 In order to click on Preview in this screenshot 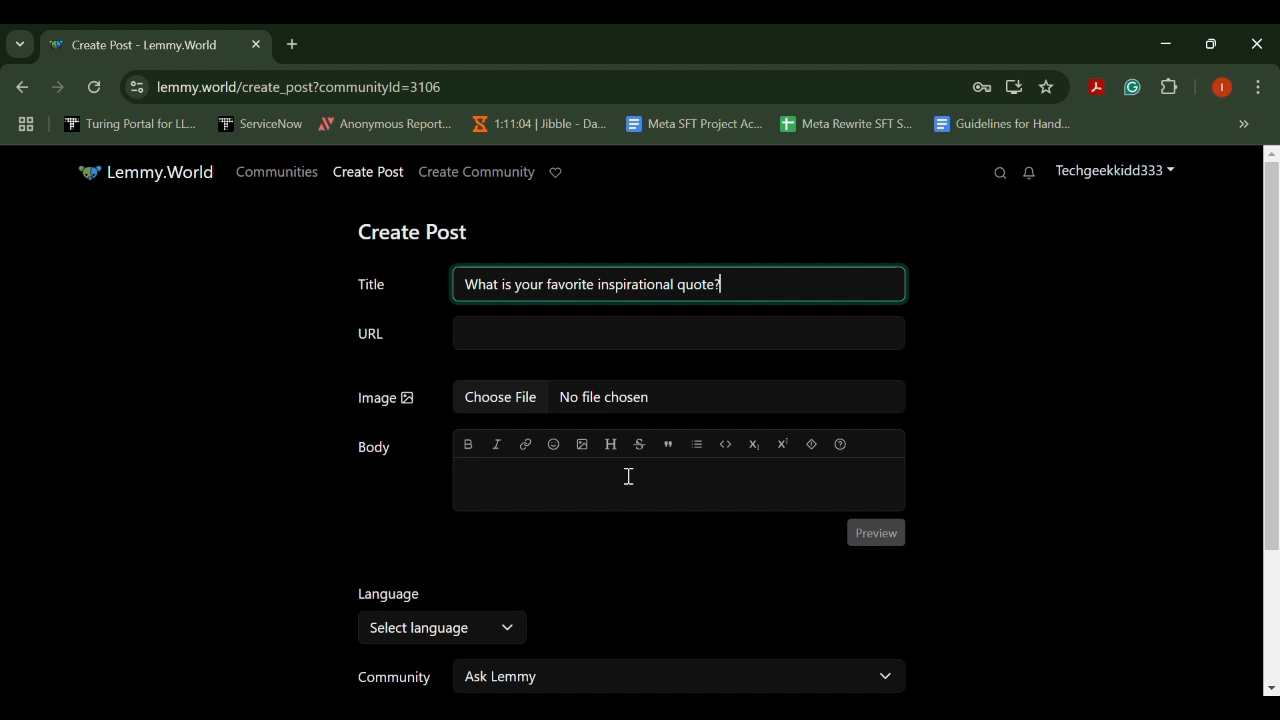, I will do `click(877, 533)`.